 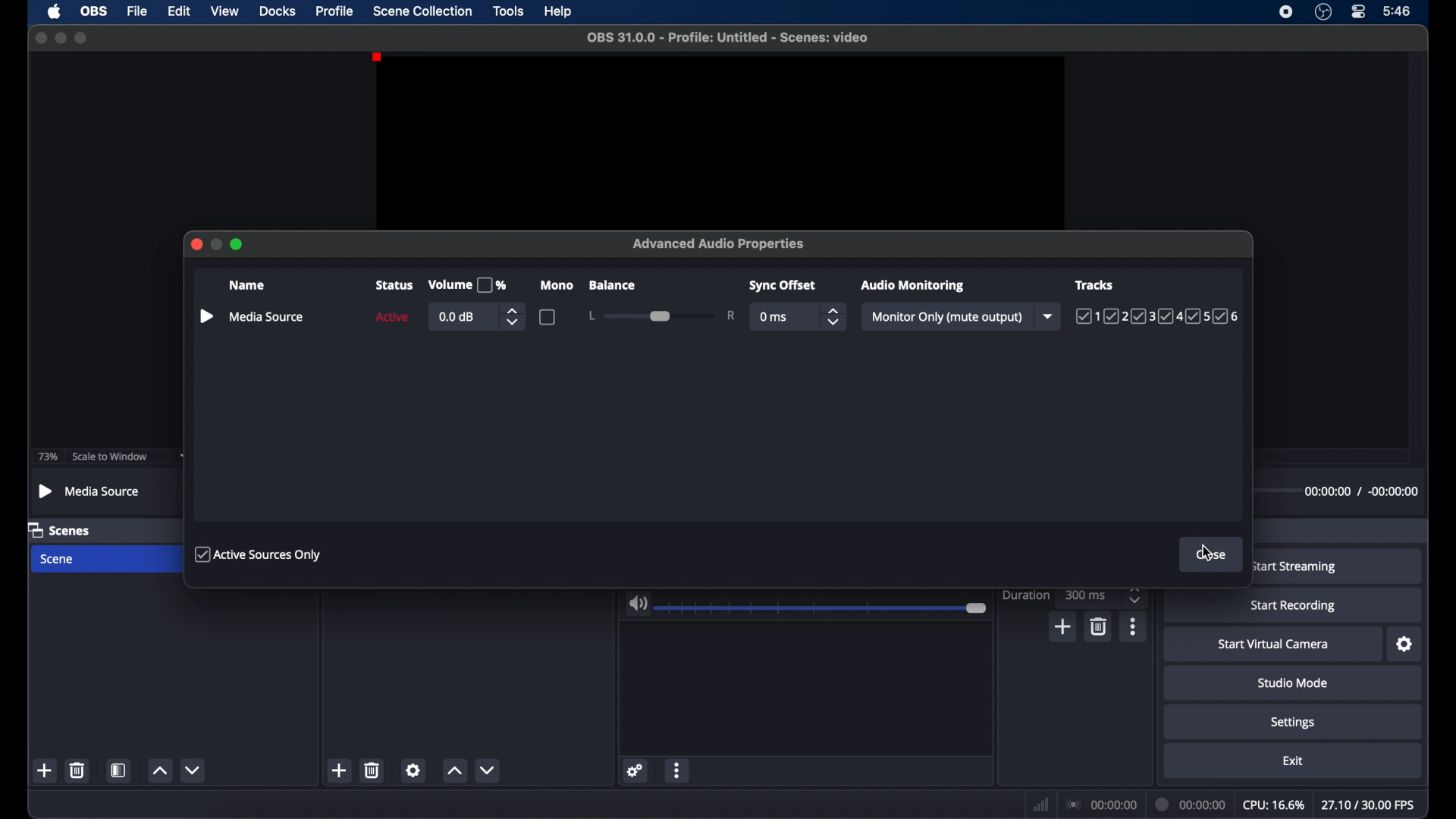 I want to click on 0.0 db, so click(x=458, y=317).